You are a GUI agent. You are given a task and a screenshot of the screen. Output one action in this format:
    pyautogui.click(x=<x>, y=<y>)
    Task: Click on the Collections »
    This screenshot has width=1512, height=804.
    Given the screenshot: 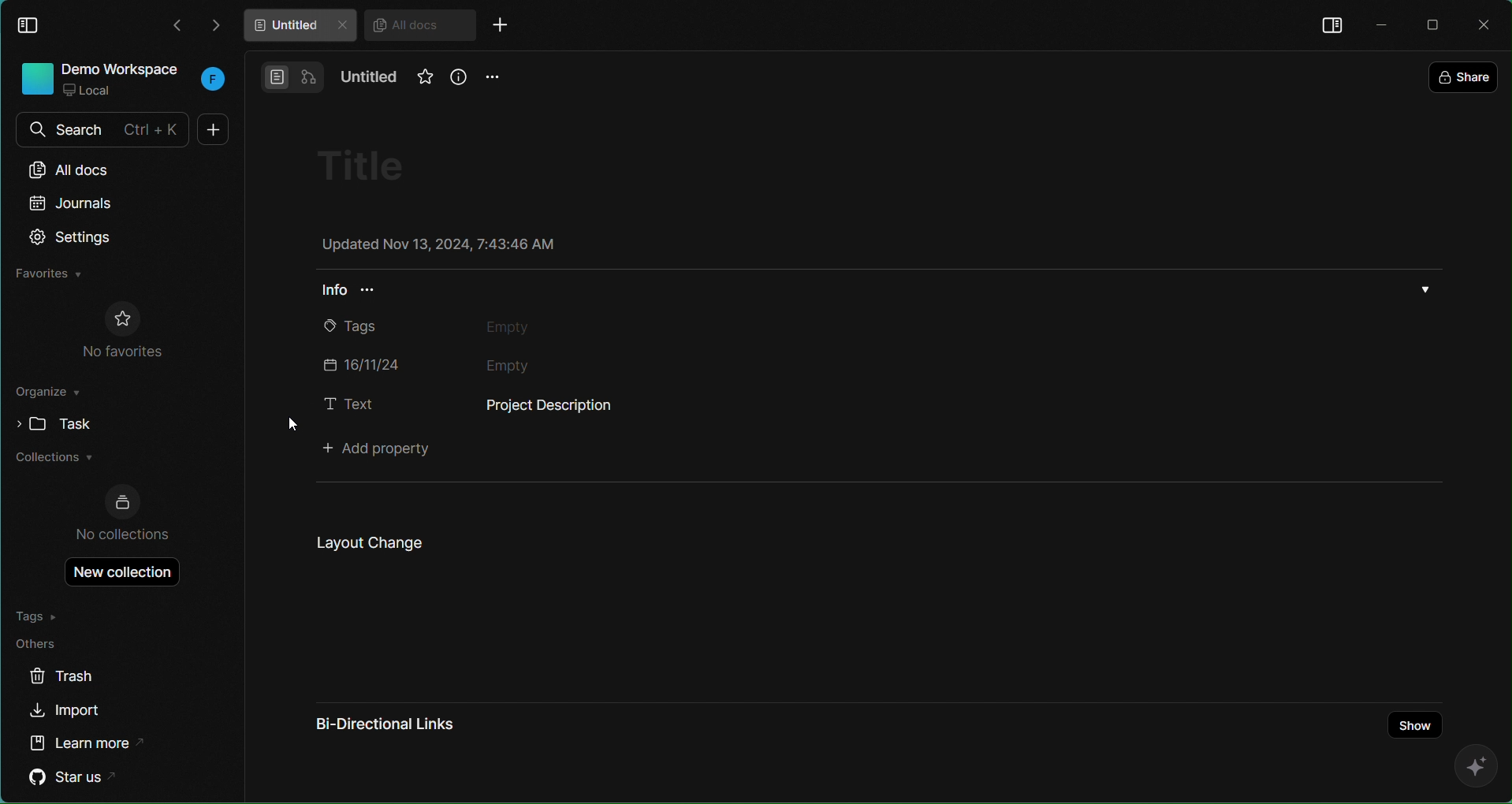 What is the action you would take?
    pyautogui.click(x=54, y=460)
    